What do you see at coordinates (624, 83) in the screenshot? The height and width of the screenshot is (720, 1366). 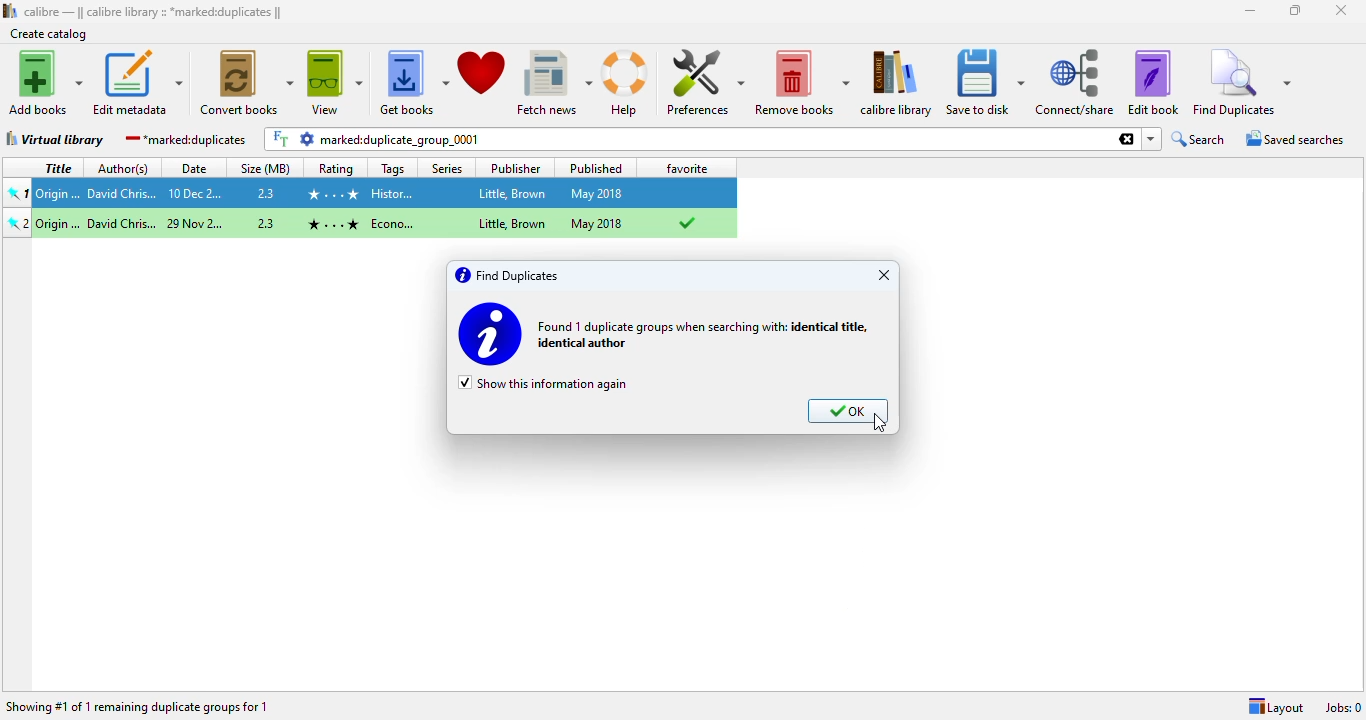 I see `help` at bounding box center [624, 83].